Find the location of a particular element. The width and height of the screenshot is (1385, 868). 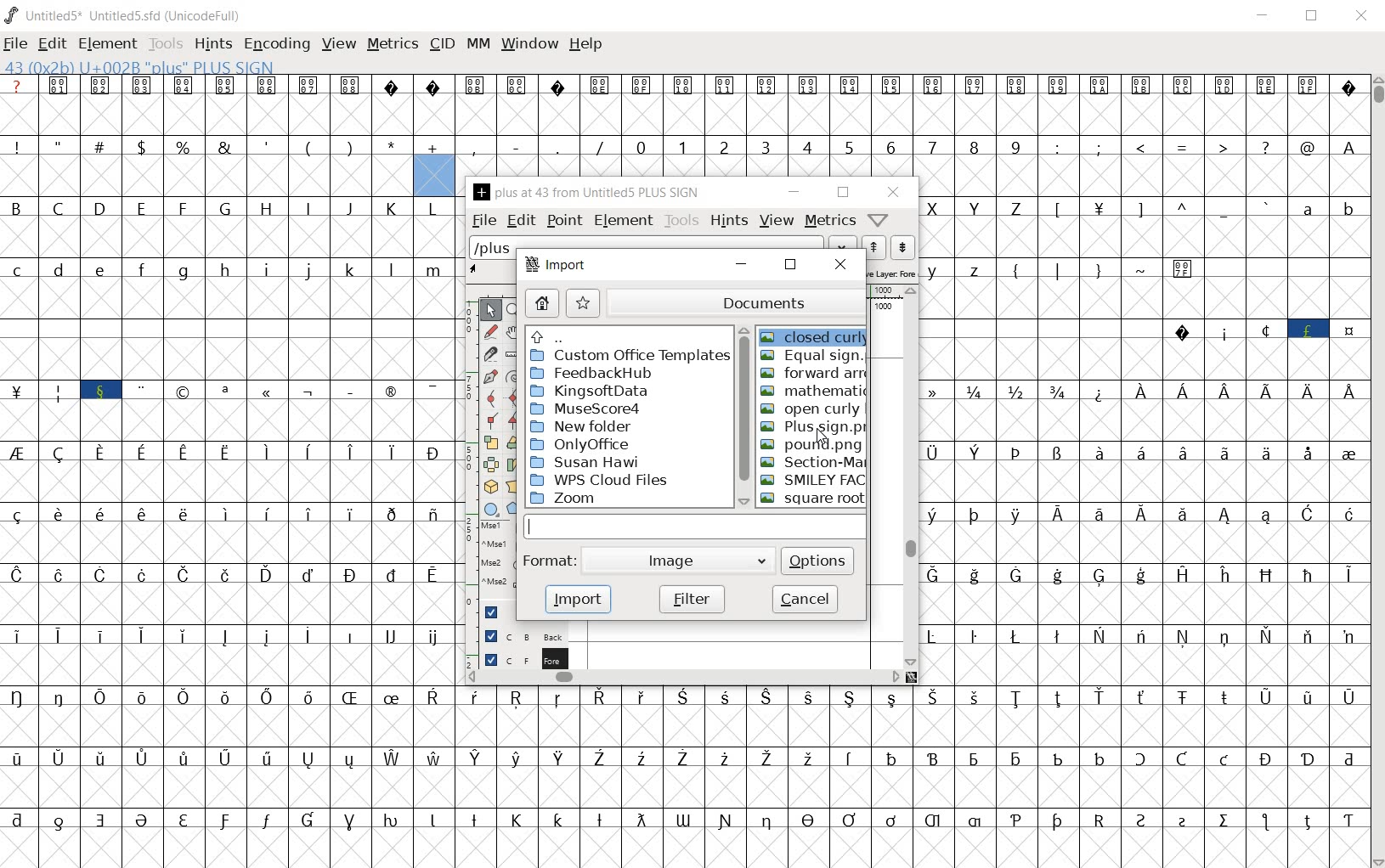

scroll by hand is located at coordinates (512, 334).